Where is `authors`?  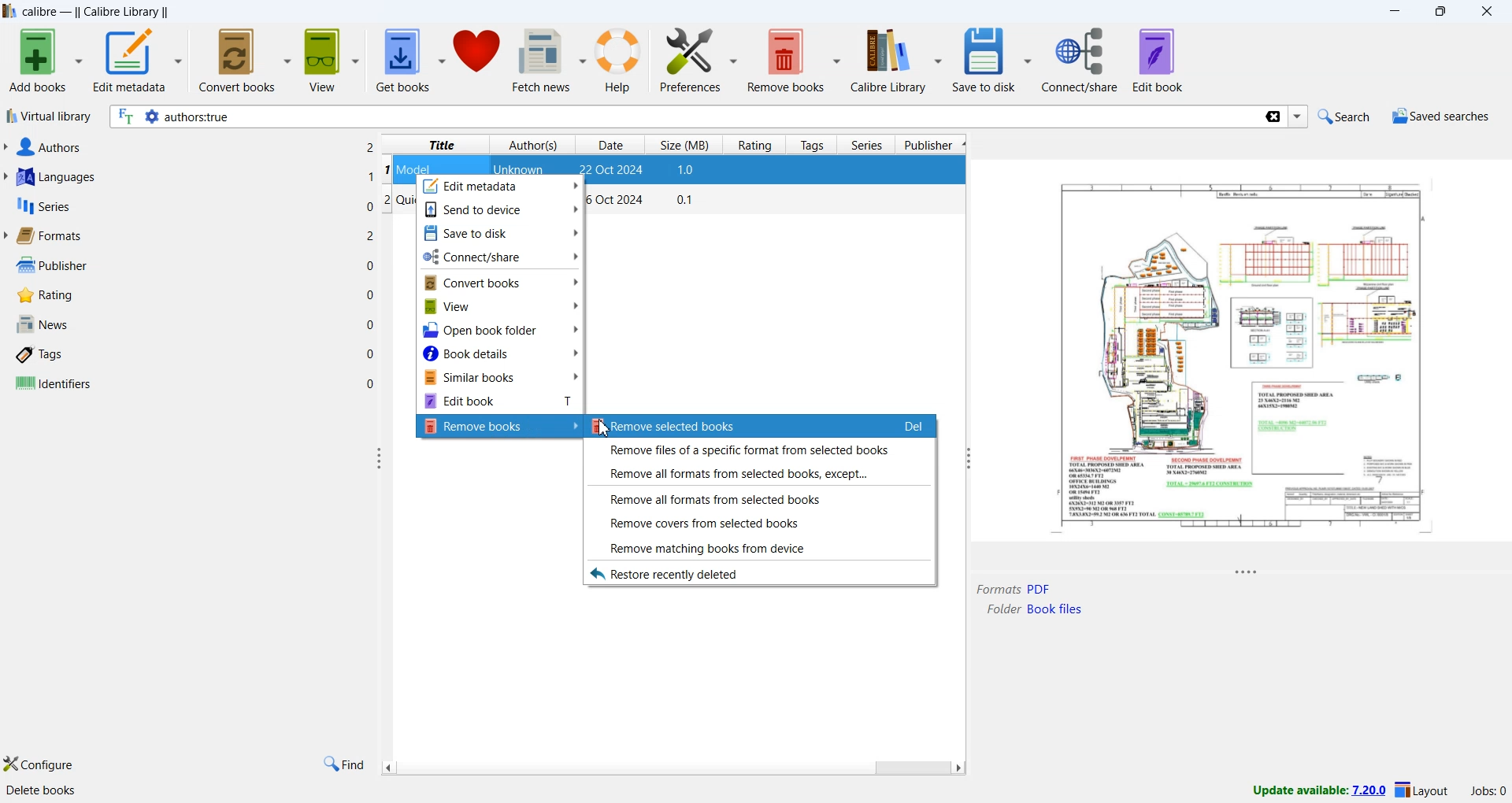 authors is located at coordinates (535, 145).